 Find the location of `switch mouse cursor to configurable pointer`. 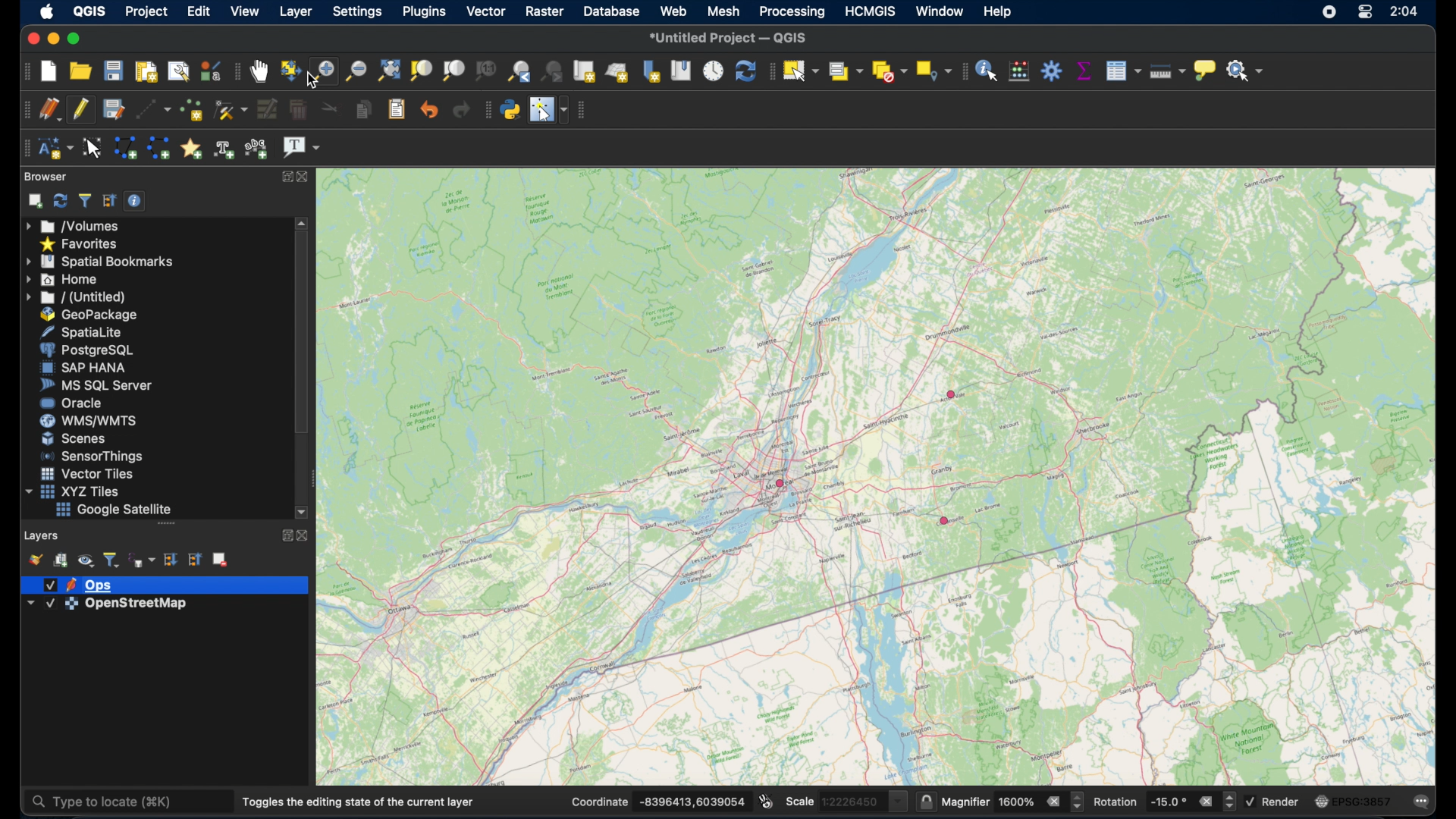

switch mouse cursor to configurable pointer is located at coordinates (548, 108).